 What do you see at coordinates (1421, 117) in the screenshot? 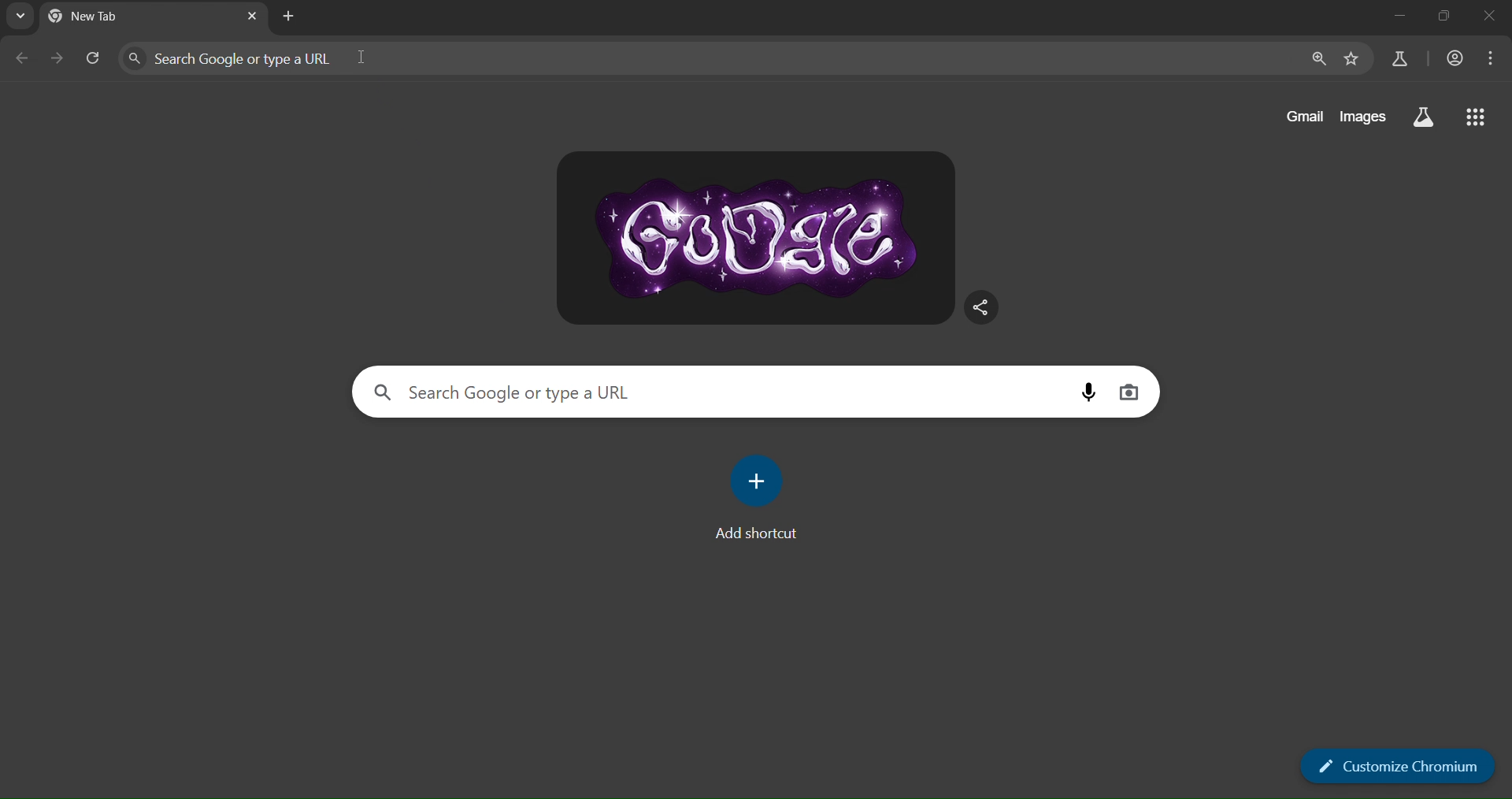
I see `search labs` at bounding box center [1421, 117].